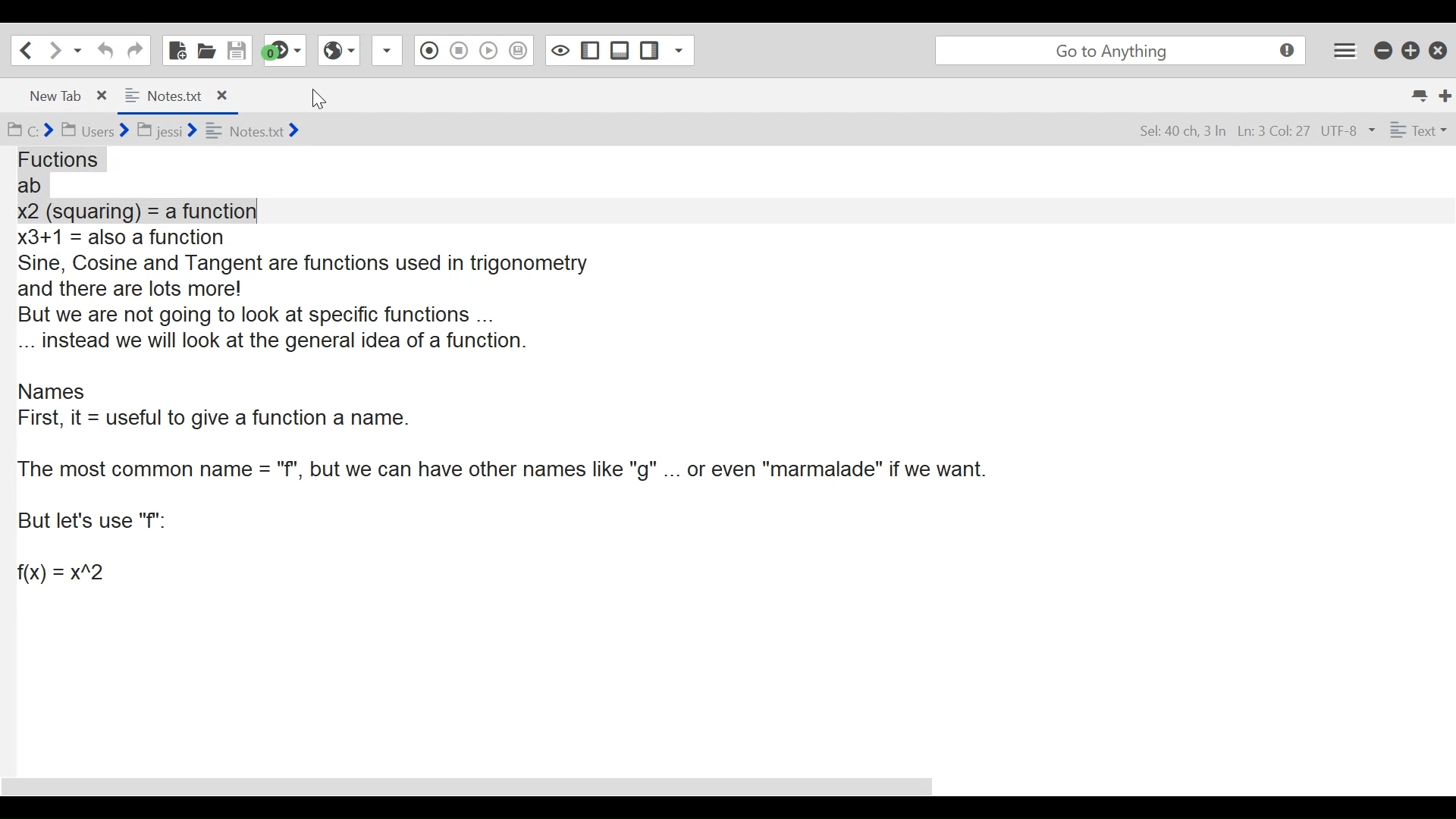 This screenshot has height=819, width=1456. I want to click on minimize, so click(1382, 49).